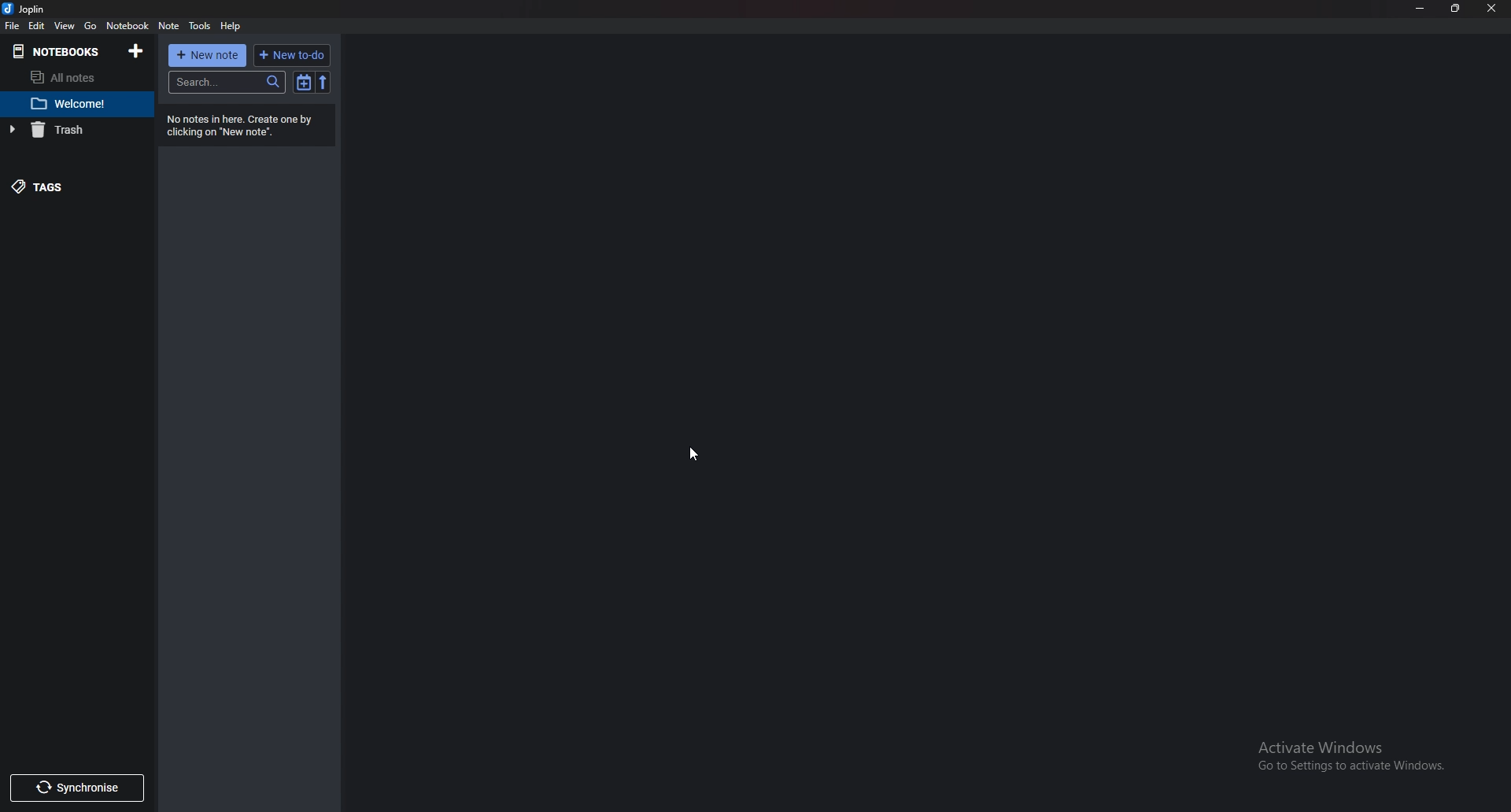 The height and width of the screenshot is (812, 1511). Describe the element at coordinates (226, 83) in the screenshot. I see `Search` at that location.